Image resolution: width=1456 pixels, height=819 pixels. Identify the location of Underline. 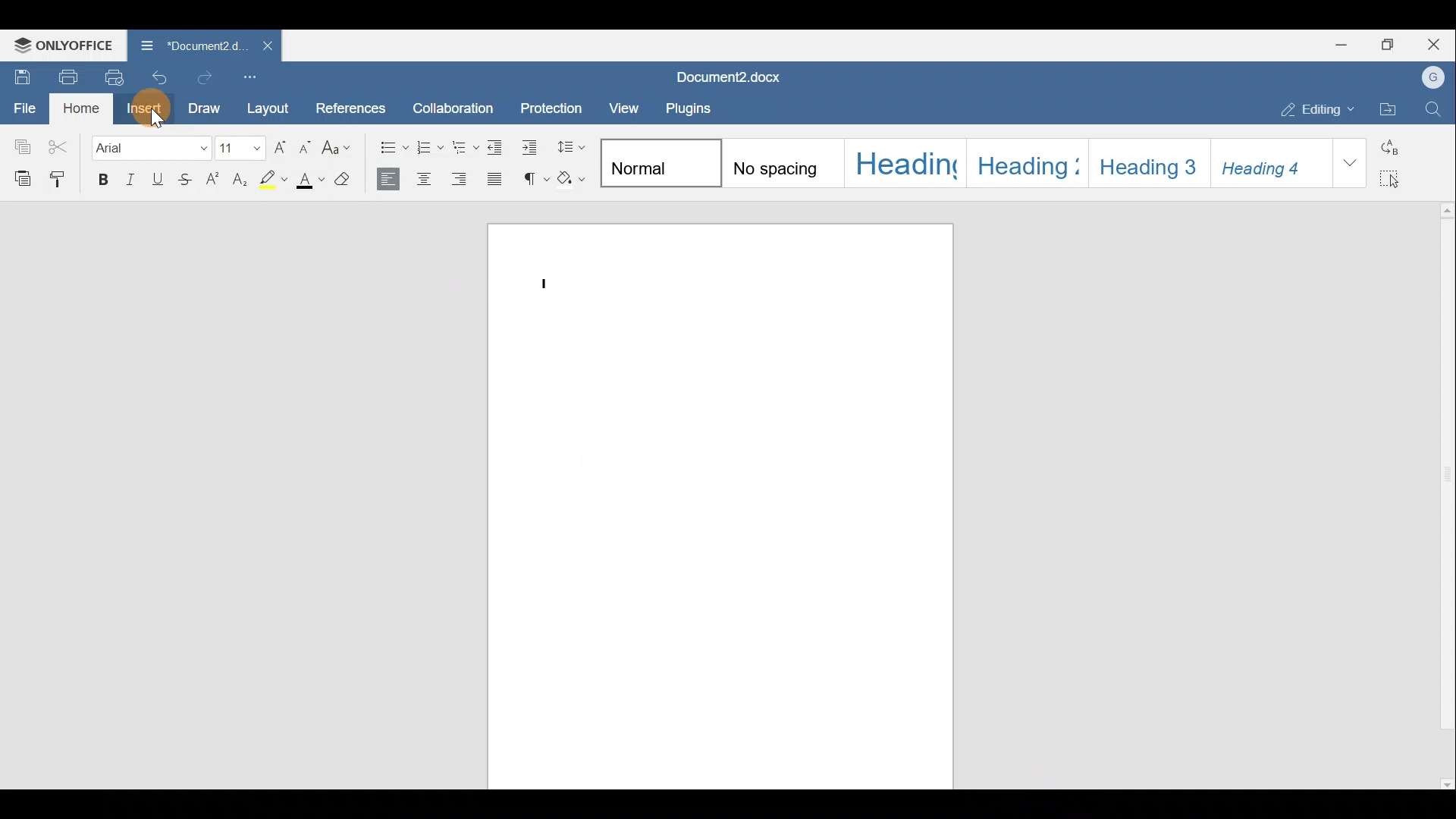
(158, 179).